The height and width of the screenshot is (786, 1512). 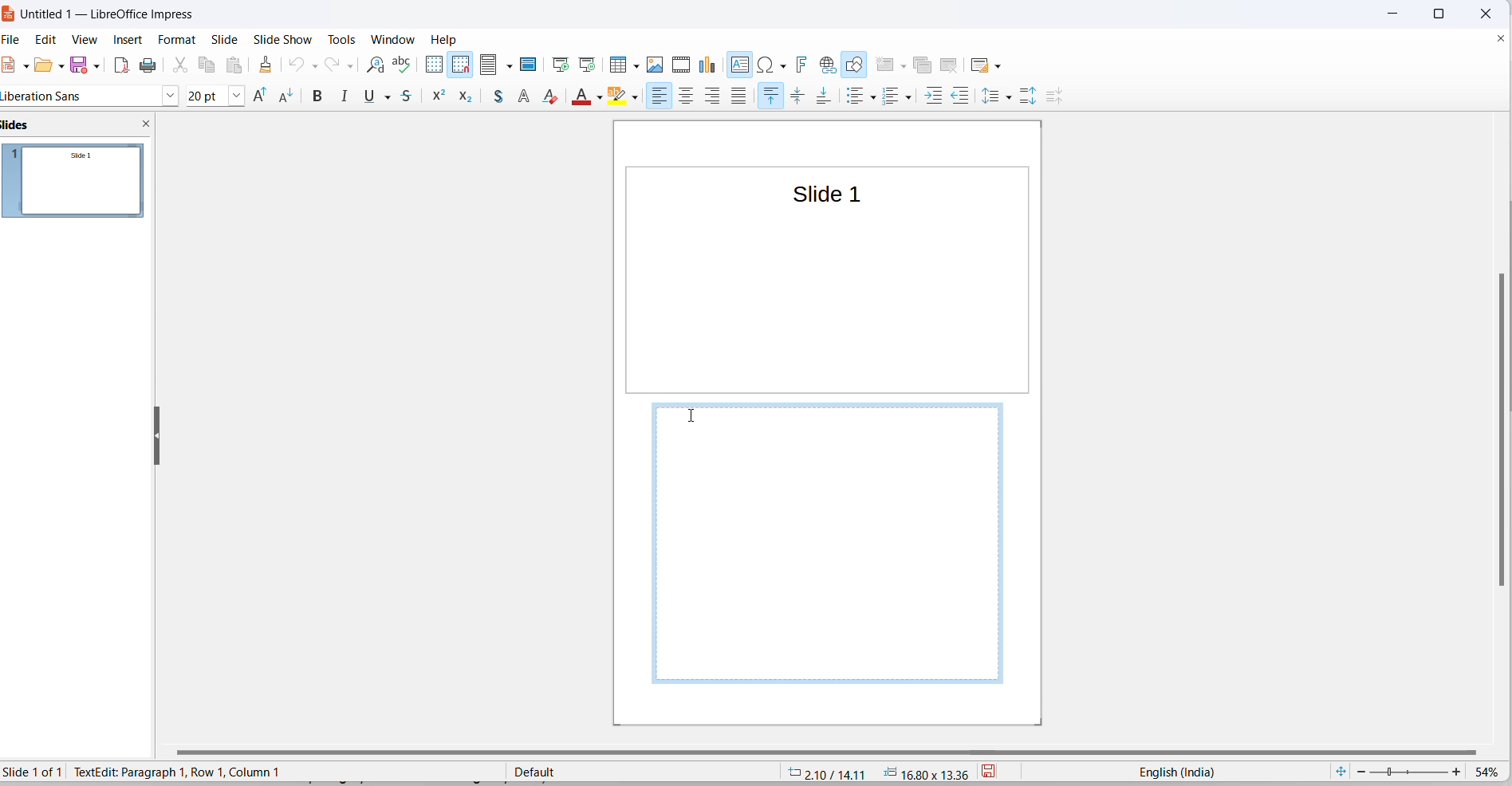 What do you see at coordinates (820, 194) in the screenshot?
I see `slide title` at bounding box center [820, 194].